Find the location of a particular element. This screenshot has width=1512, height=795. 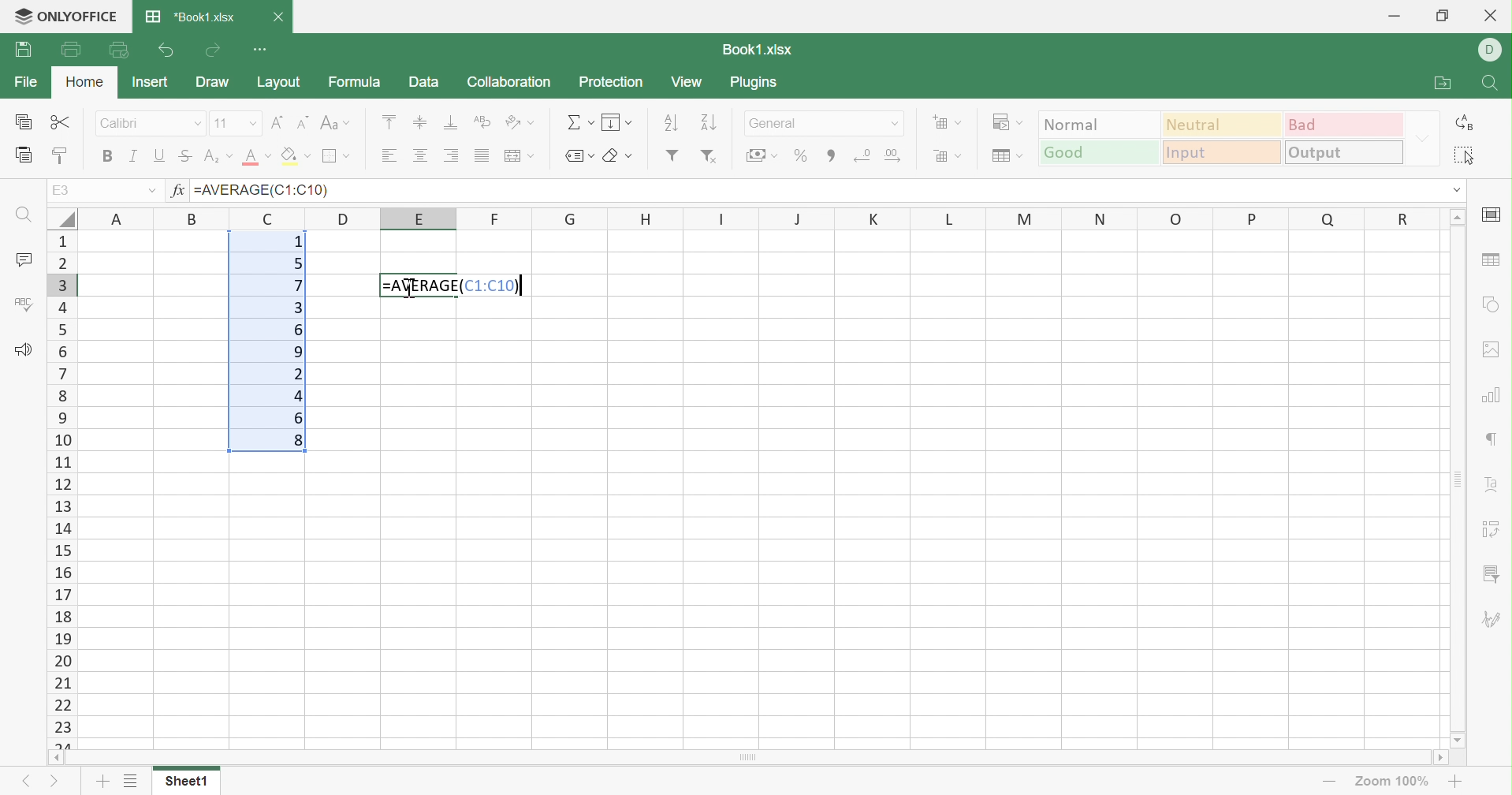

6 is located at coordinates (296, 417).